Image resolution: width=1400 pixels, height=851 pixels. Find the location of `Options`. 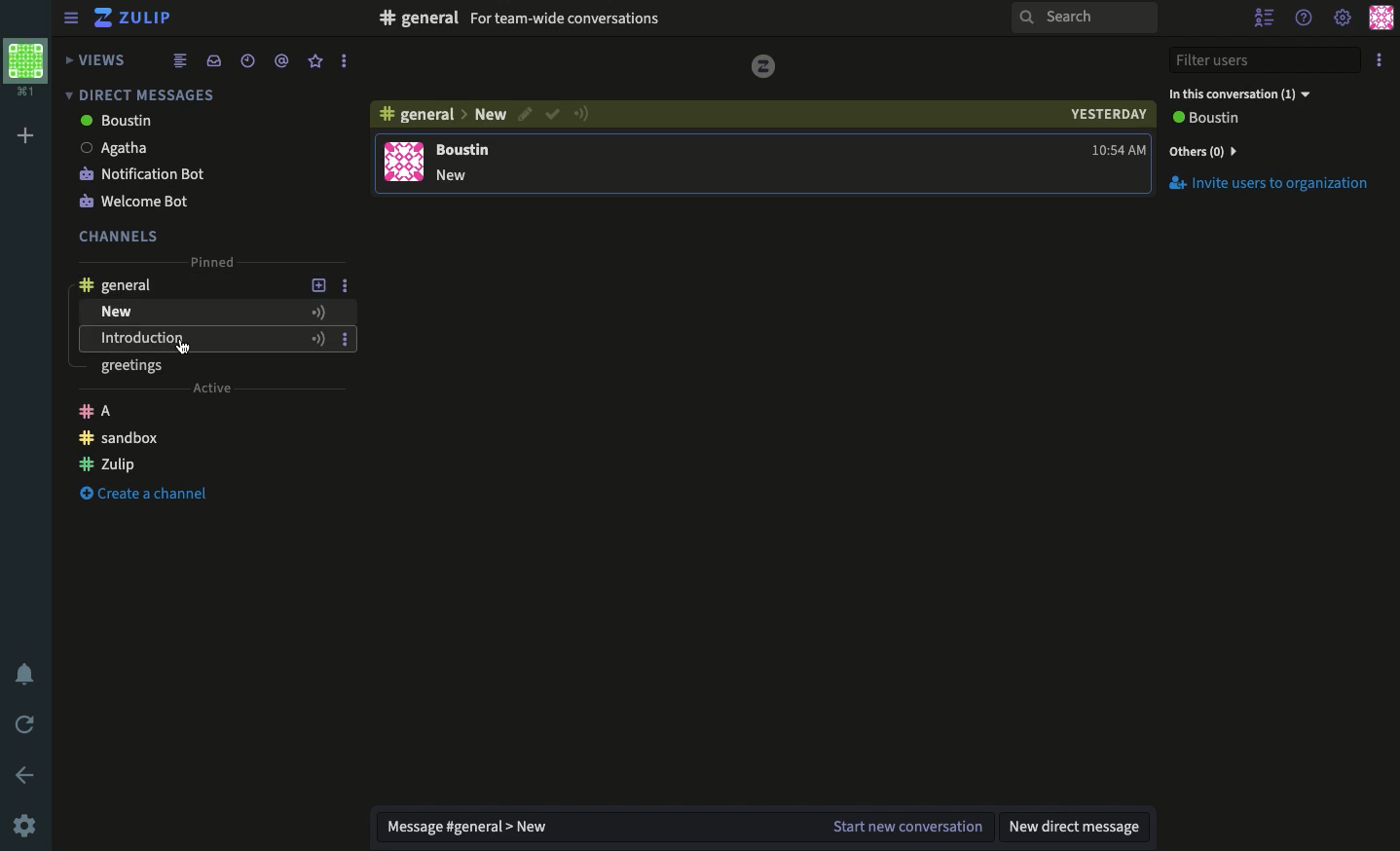

Options is located at coordinates (343, 61).